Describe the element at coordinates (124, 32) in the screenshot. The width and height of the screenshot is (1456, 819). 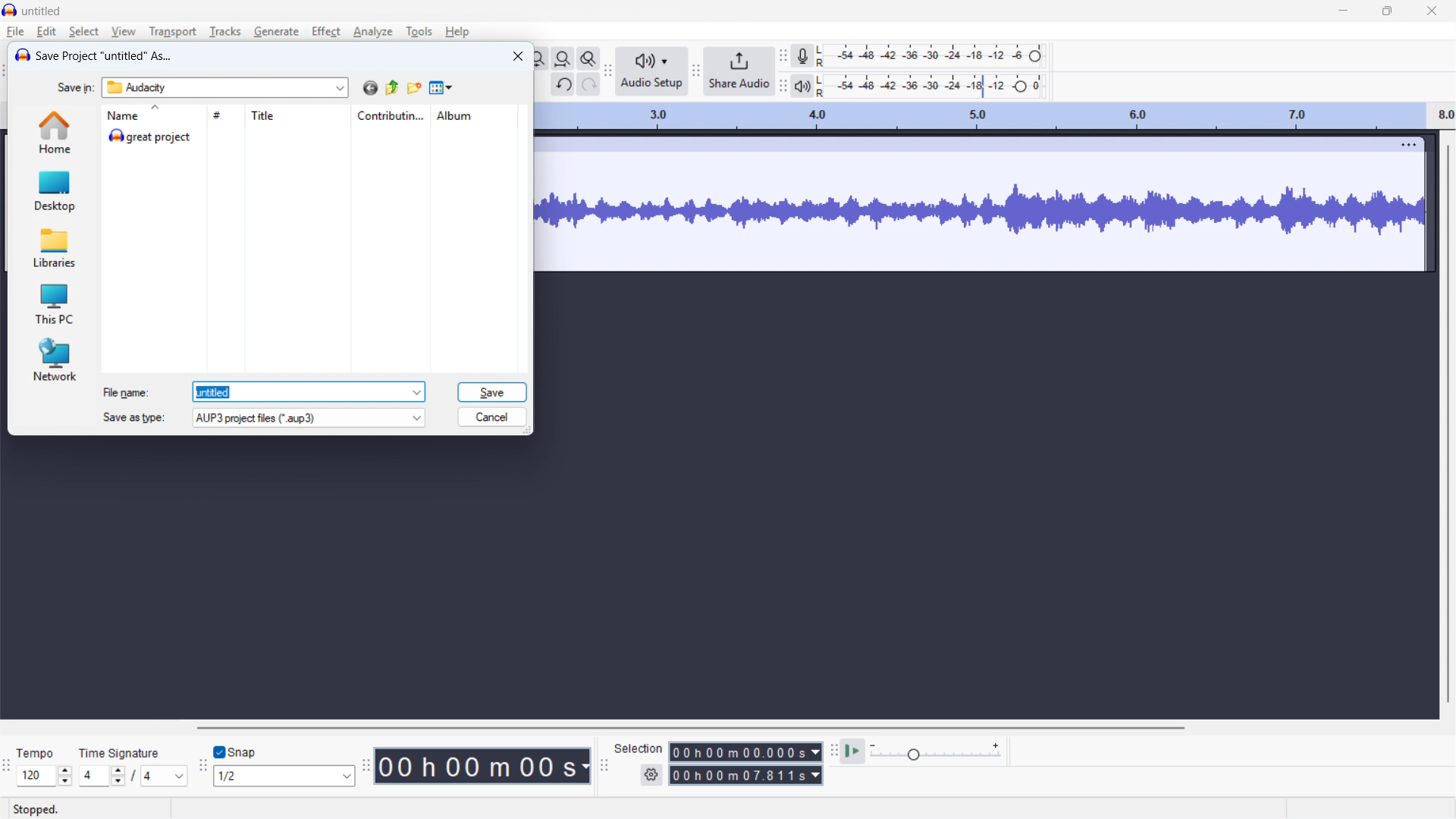
I see `view` at that location.